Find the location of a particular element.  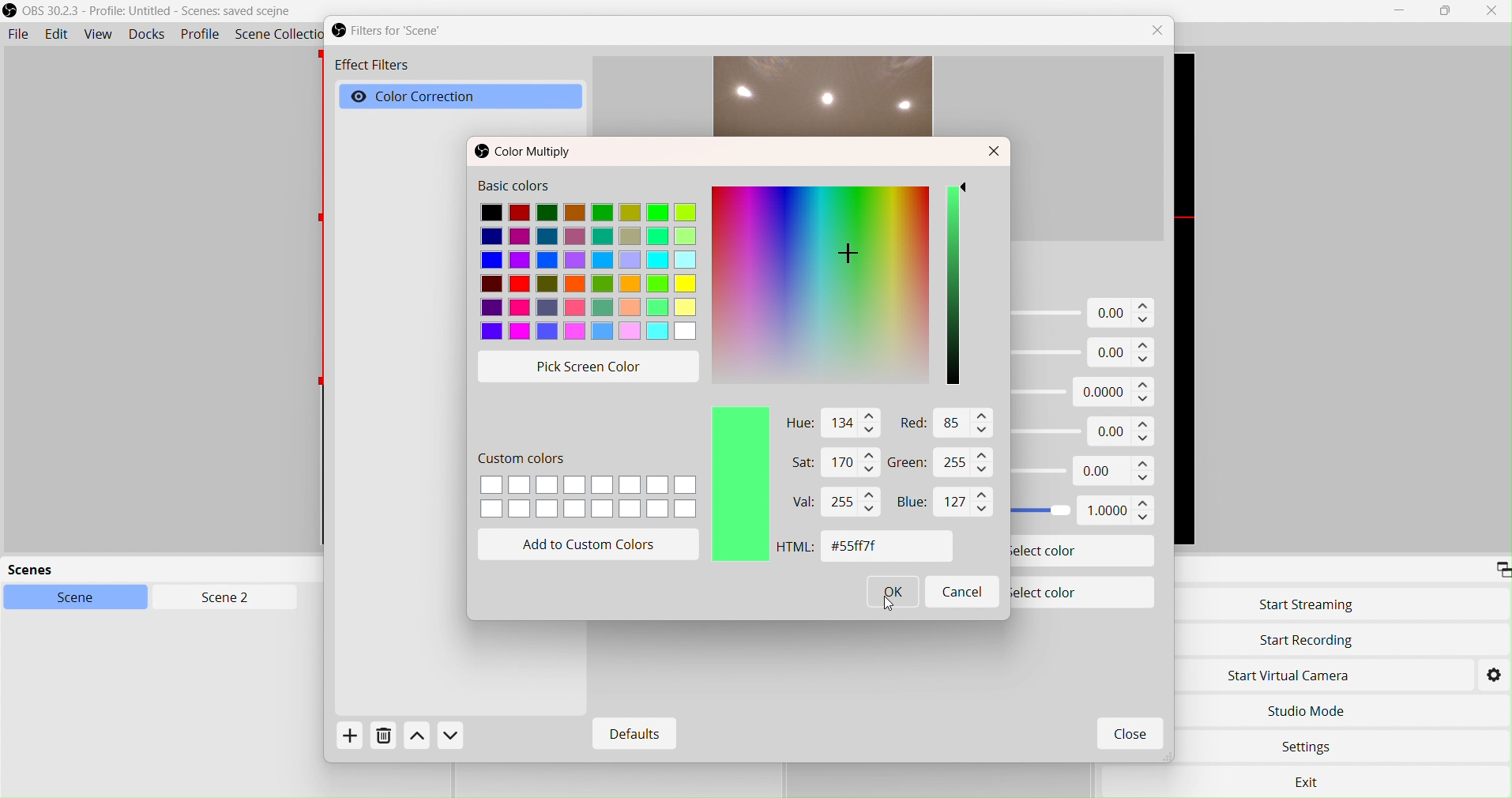

Effect Filters is located at coordinates (371, 67).